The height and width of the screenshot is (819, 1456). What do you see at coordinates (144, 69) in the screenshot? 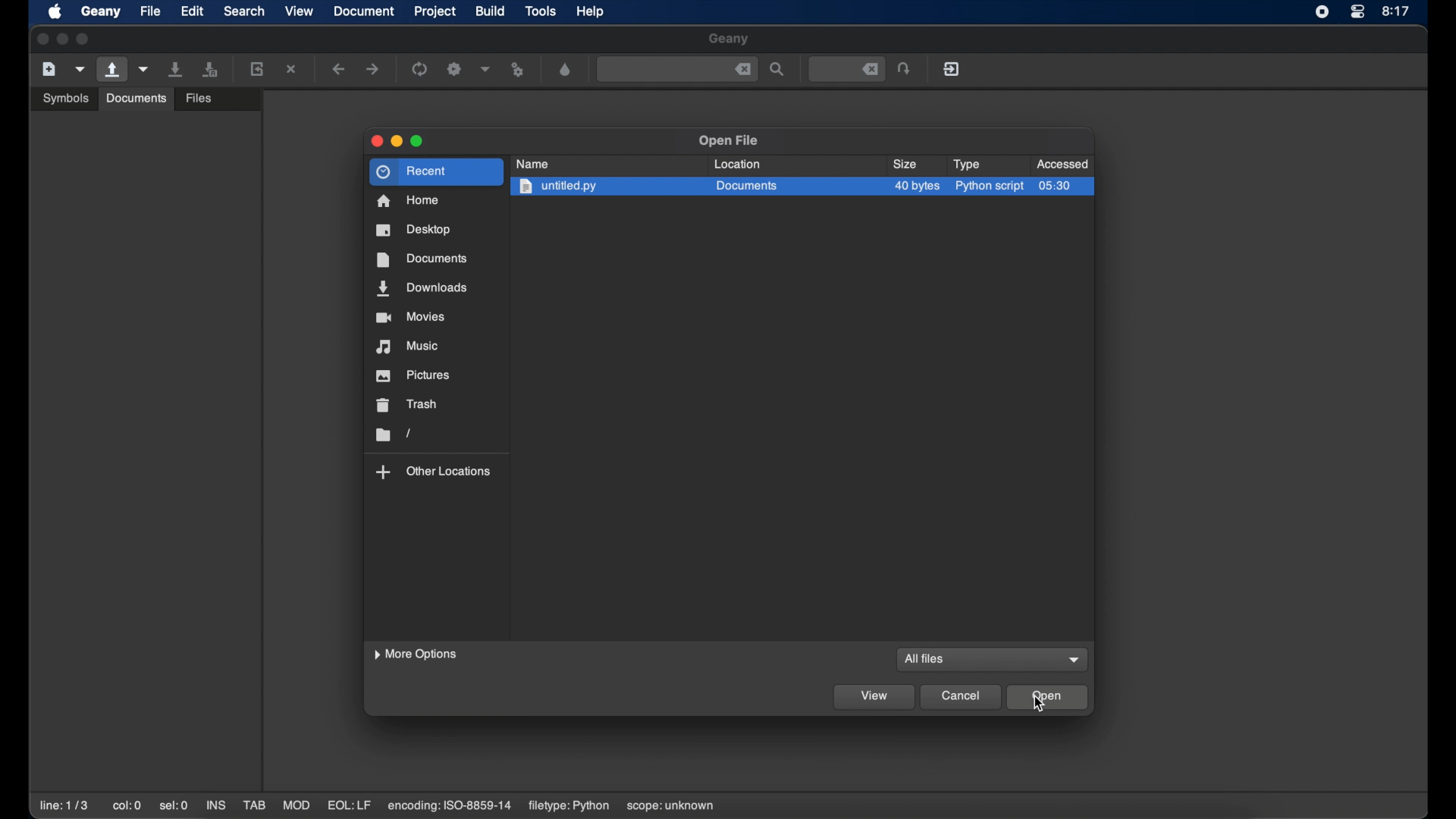
I see `open a recent file` at bounding box center [144, 69].